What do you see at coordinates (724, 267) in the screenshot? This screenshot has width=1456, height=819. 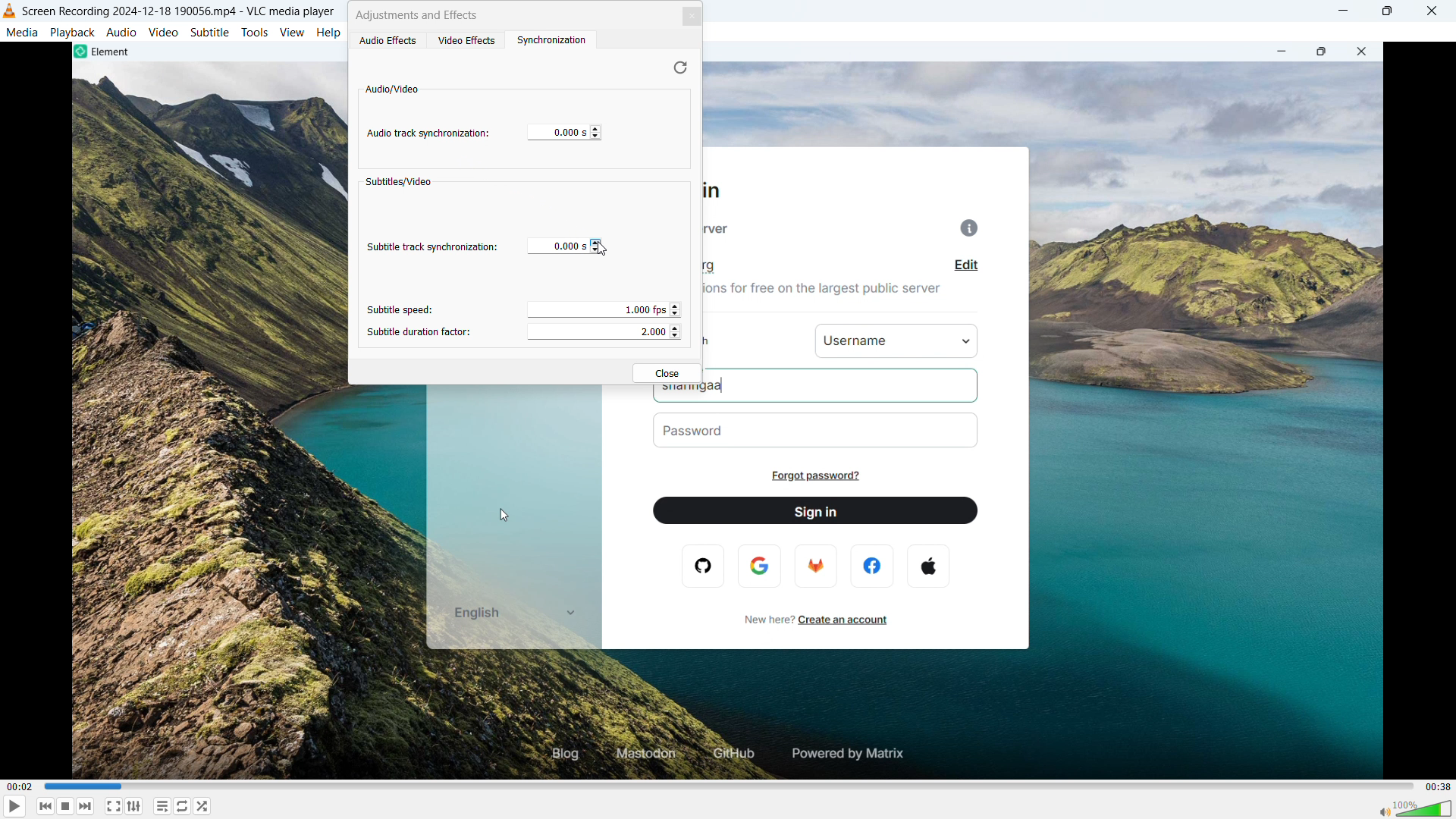 I see `matrix.org` at bounding box center [724, 267].